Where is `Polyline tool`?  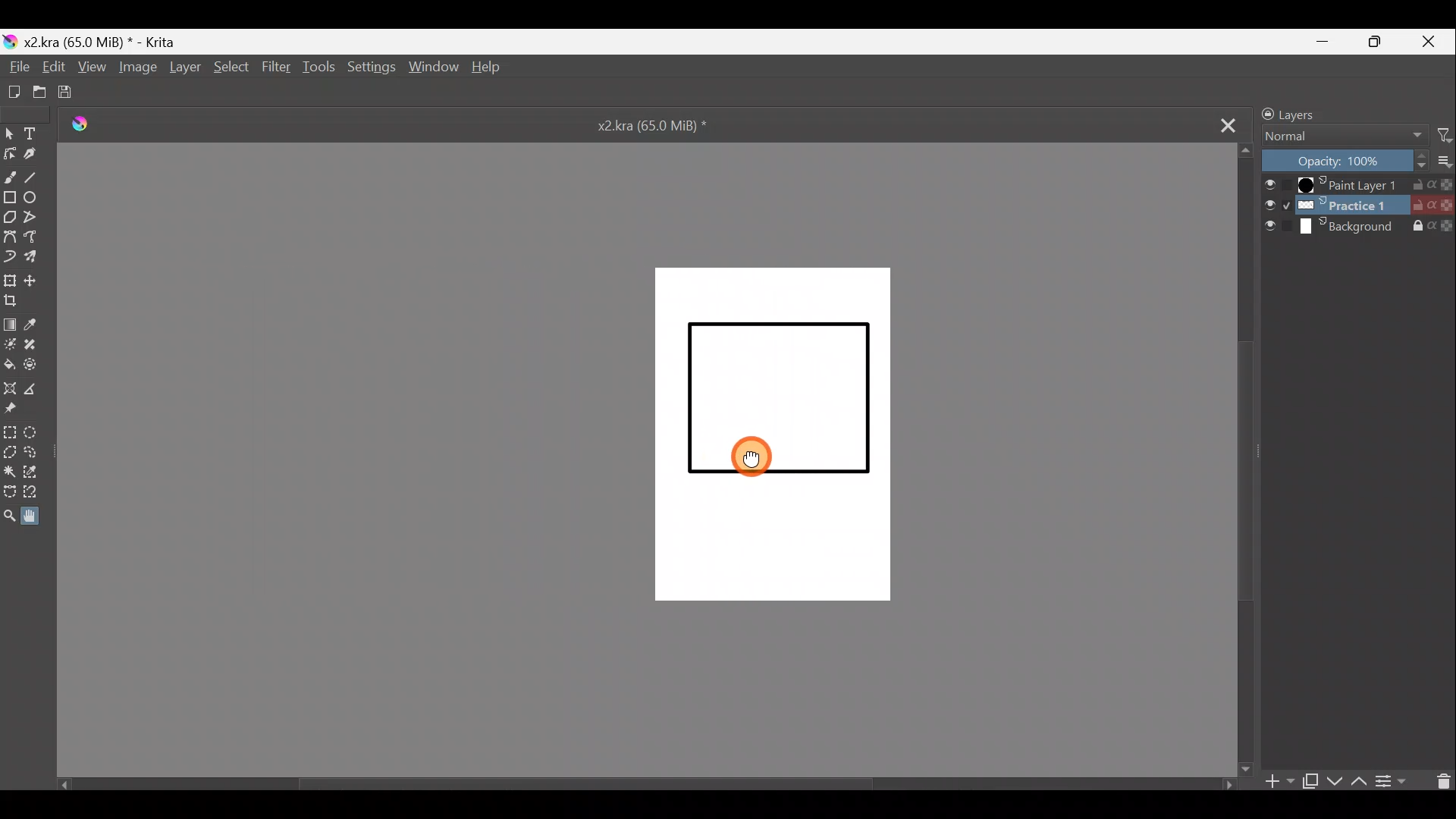
Polyline tool is located at coordinates (36, 218).